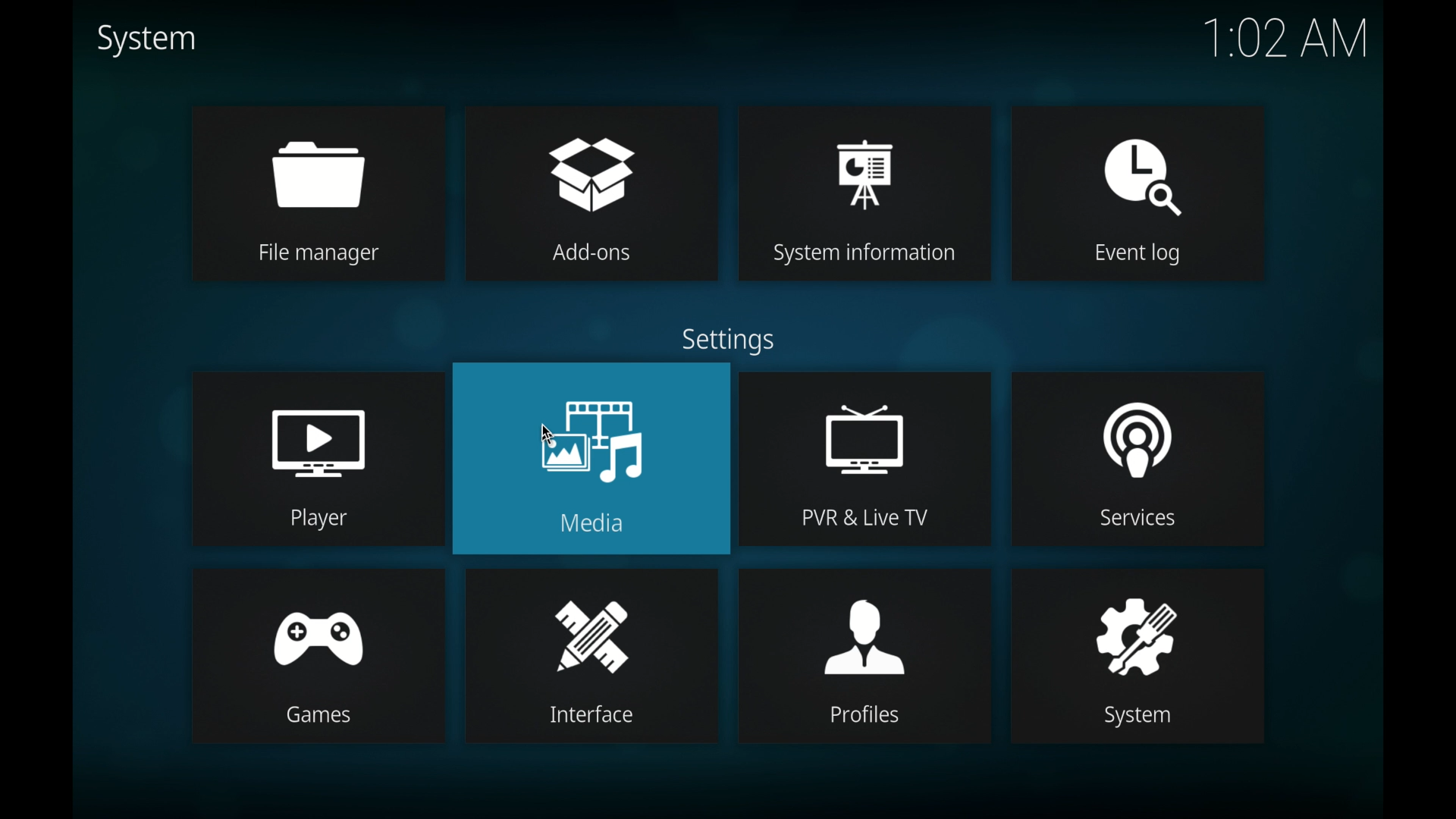 The image size is (1456, 819). Describe the element at coordinates (146, 40) in the screenshot. I see `system` at that location.